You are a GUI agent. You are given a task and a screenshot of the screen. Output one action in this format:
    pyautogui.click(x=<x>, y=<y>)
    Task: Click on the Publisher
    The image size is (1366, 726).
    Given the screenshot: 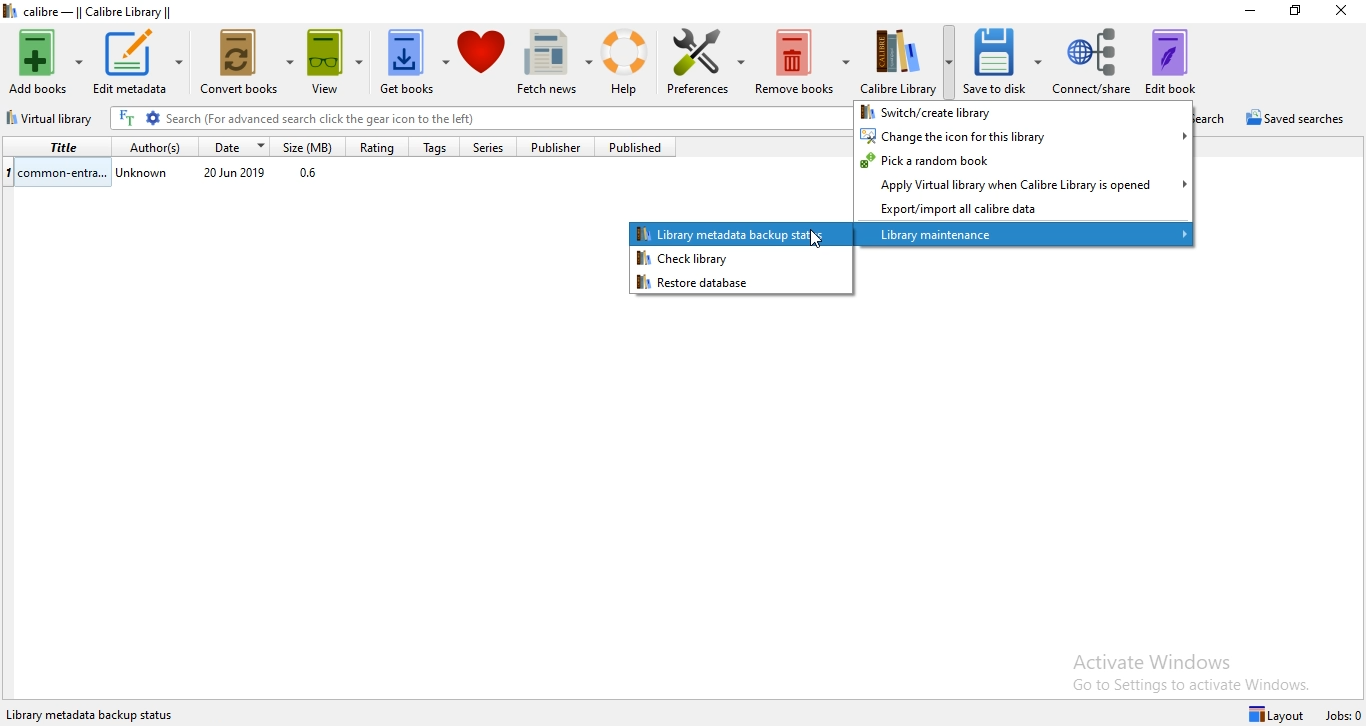 What is the action you would take?
    pyautogui.click(x=563, y=147)
    